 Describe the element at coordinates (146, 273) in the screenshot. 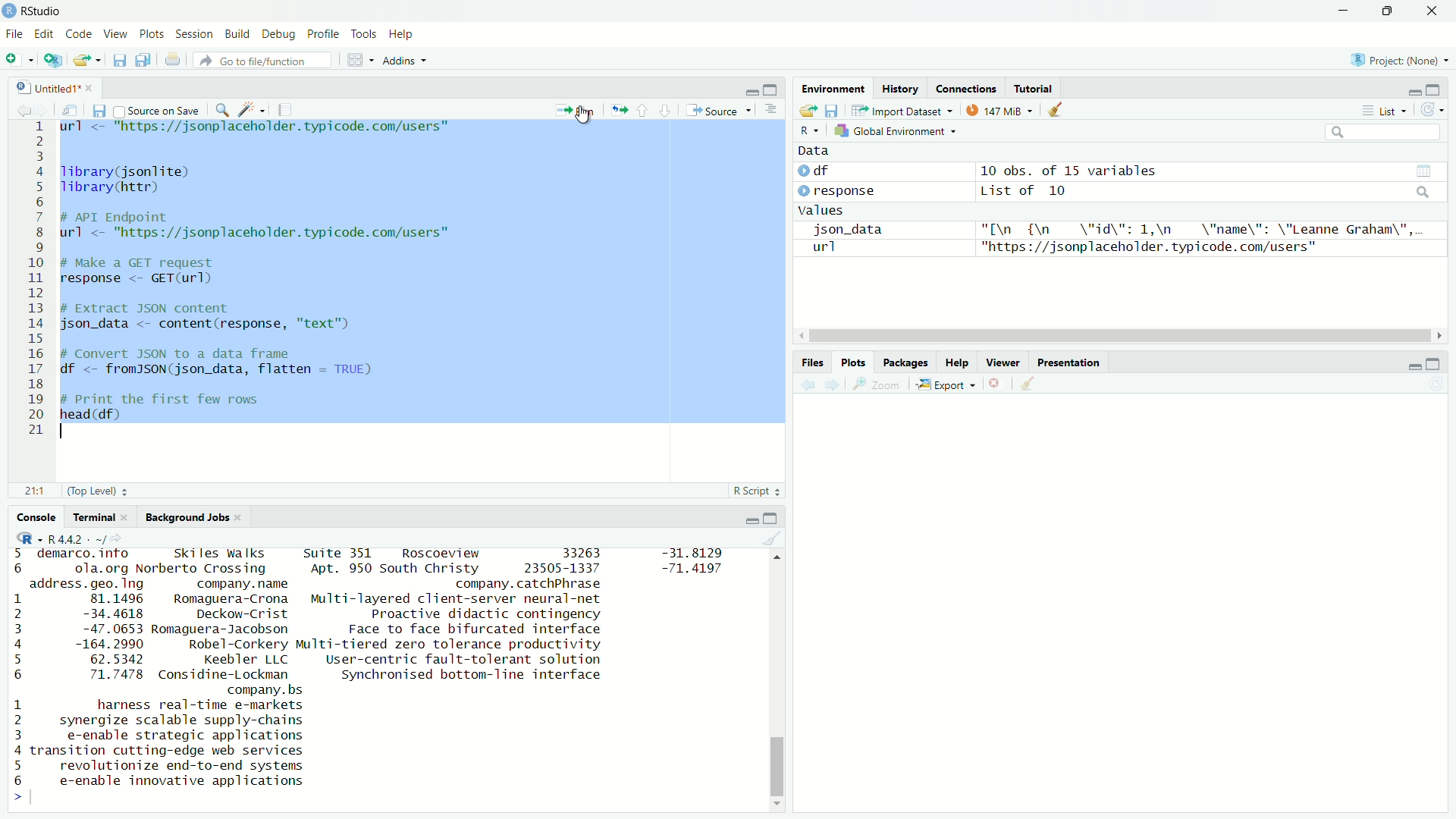

I see `# Make a GET request
response <- GET(url)` at that location.